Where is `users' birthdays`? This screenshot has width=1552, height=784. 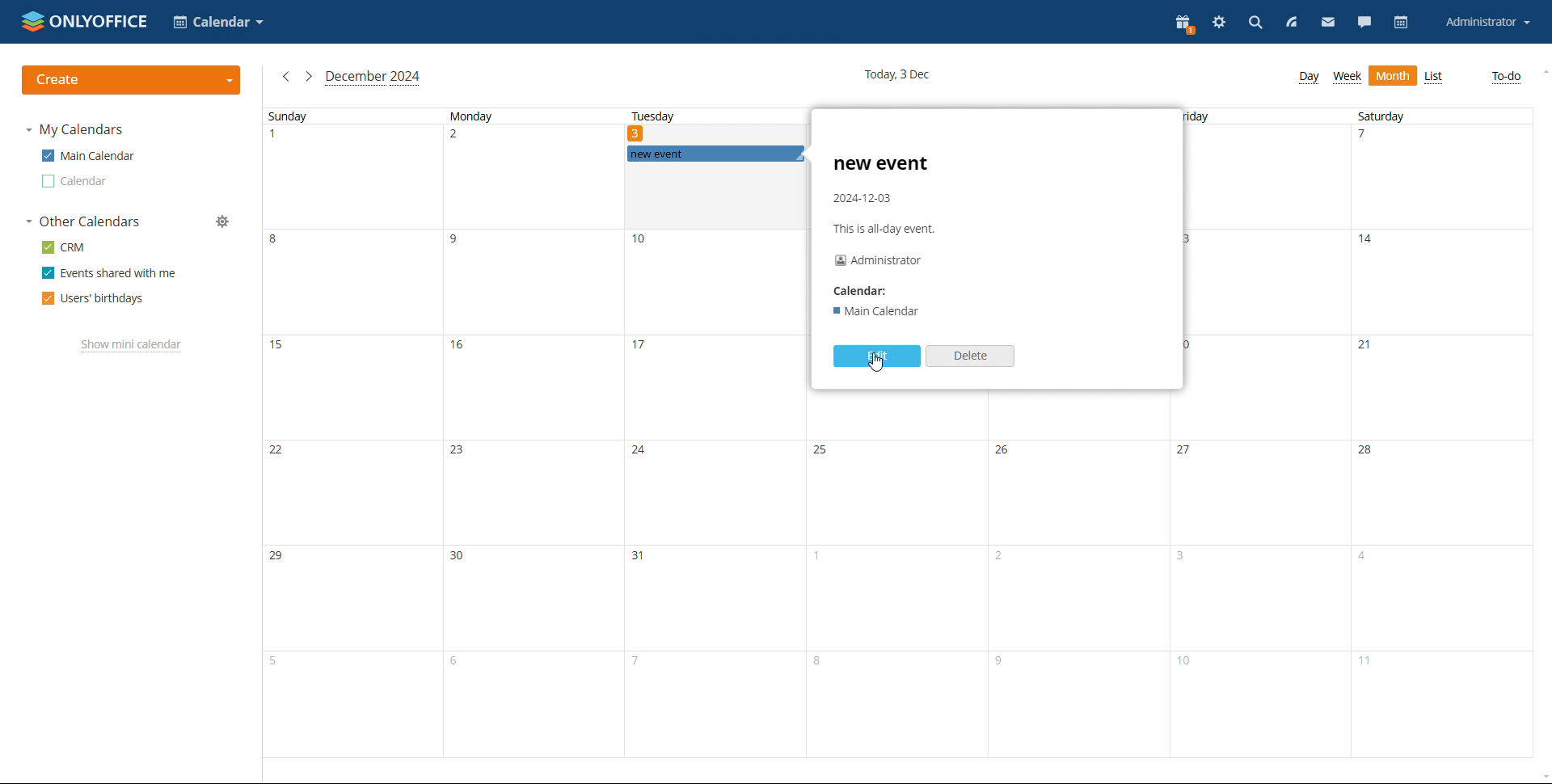
users' birthdays is located at coordinates (94, 298).